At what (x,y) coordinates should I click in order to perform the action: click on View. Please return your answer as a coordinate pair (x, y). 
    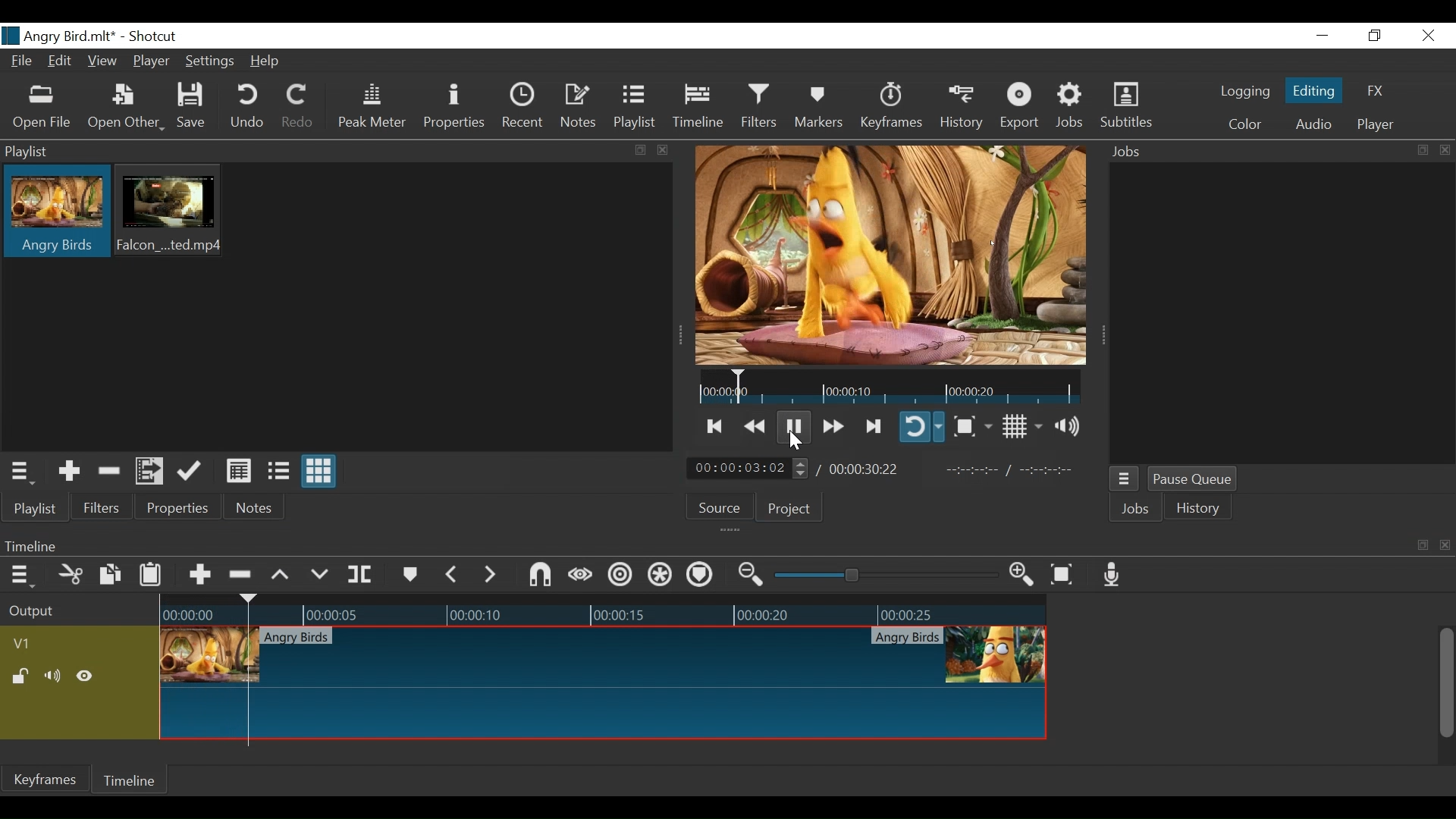
    Looking at the image, I should click on (102, 61).